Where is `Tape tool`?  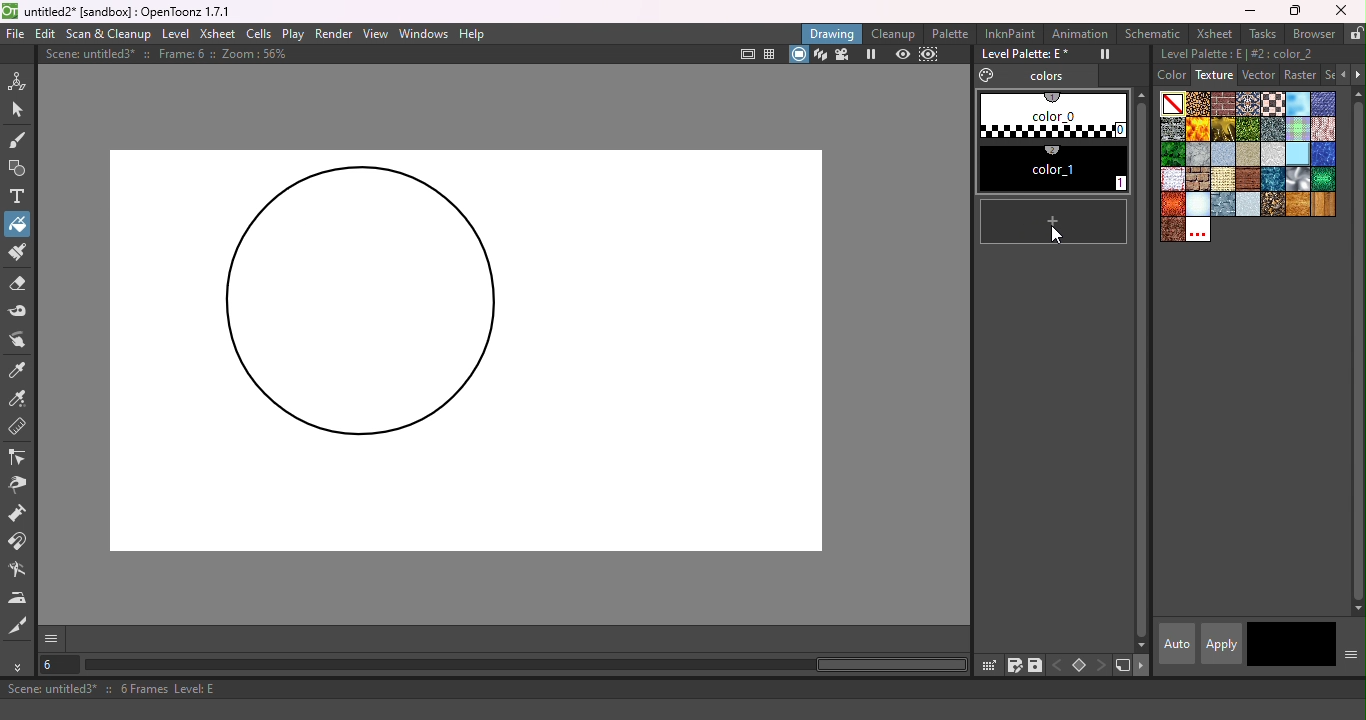
Tape tool is located at coordinates (21, 311).